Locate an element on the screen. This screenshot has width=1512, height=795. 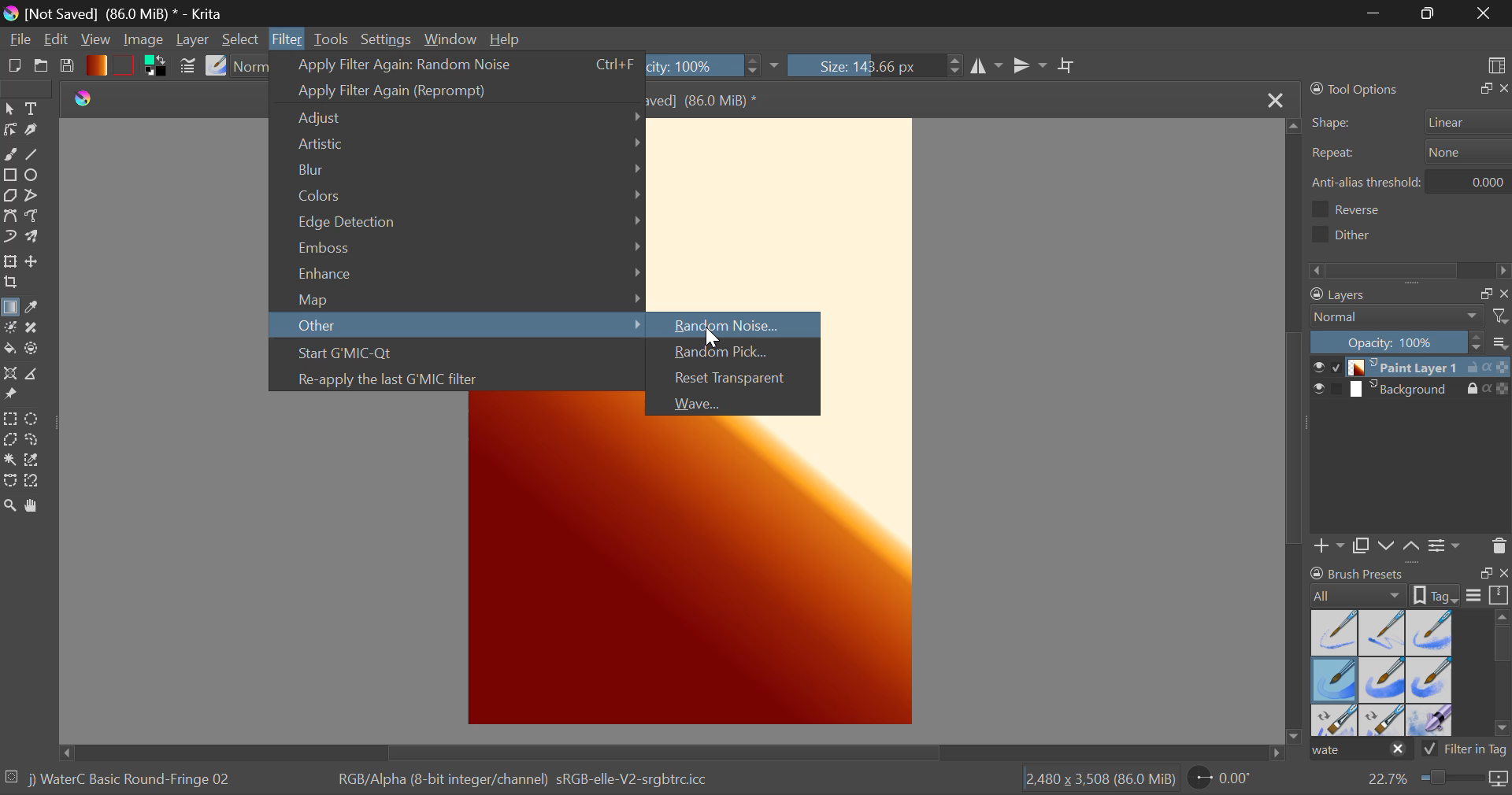
Crop is located at coordinates (1068, 67).